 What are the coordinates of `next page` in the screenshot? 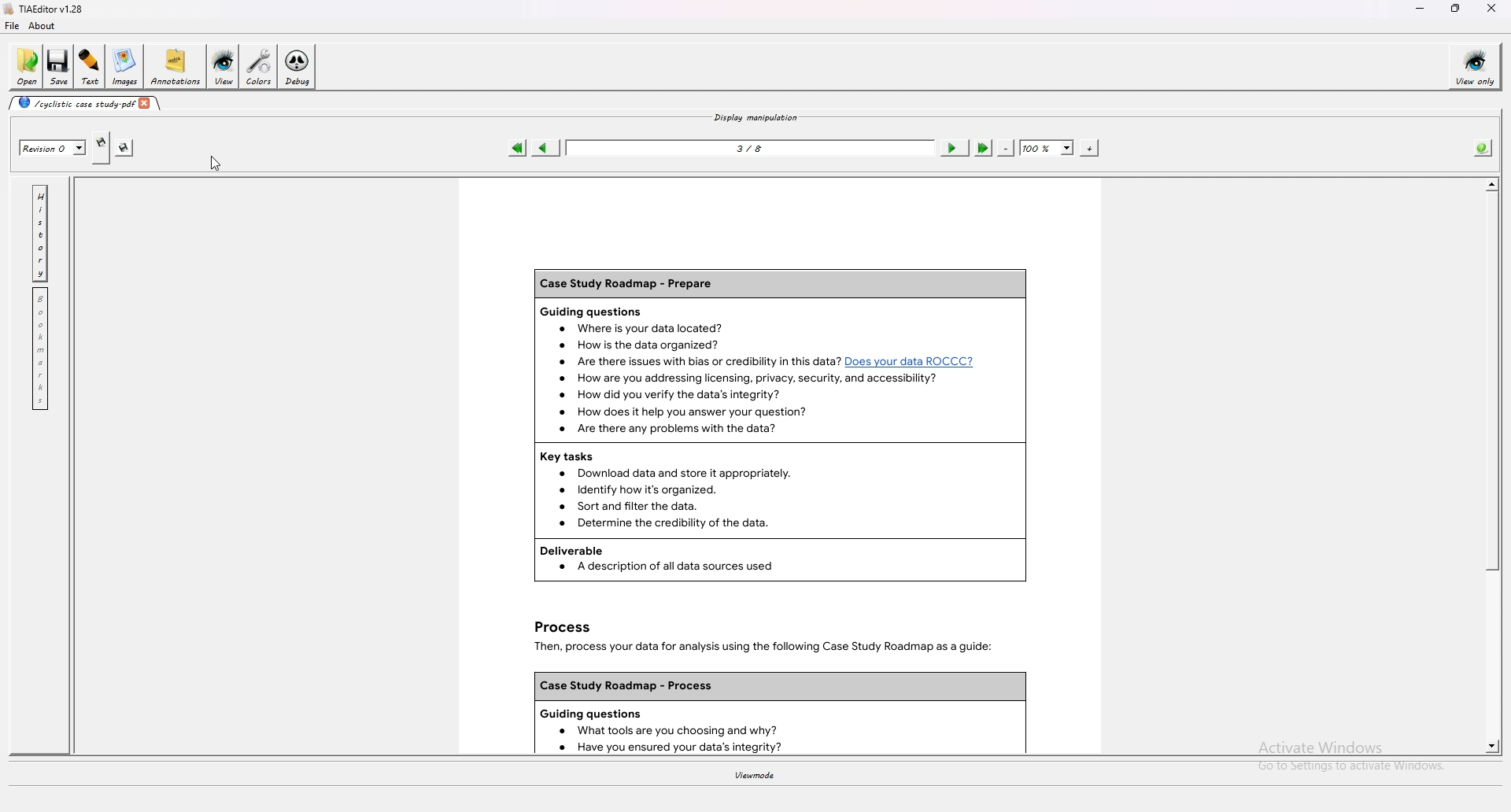 It's located at (954, 147).